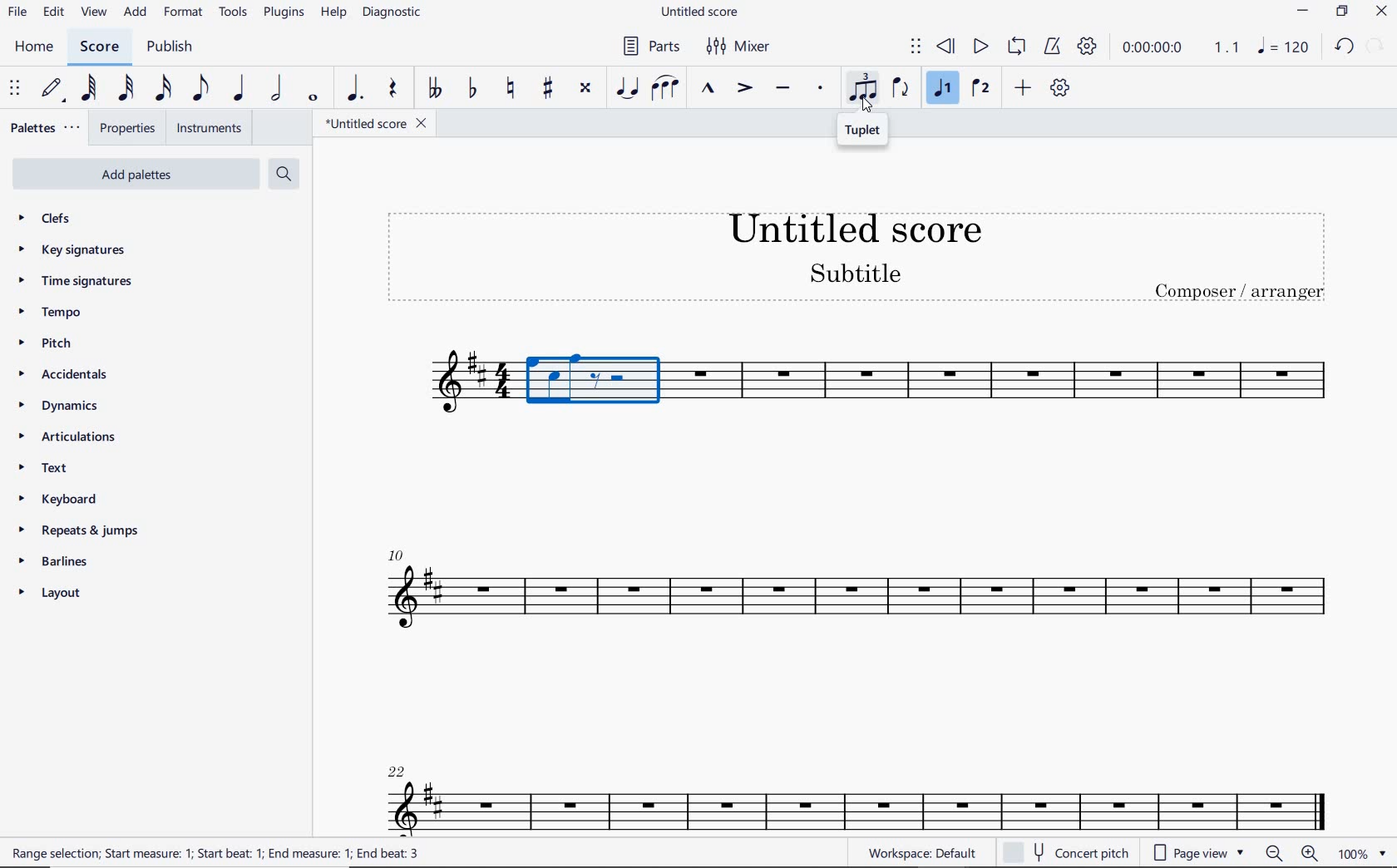 The width and height of the screenshot is (1397, 868). Describe the element at coordinates (66, 343) in the screenshot. I see `PITCH` at that location.